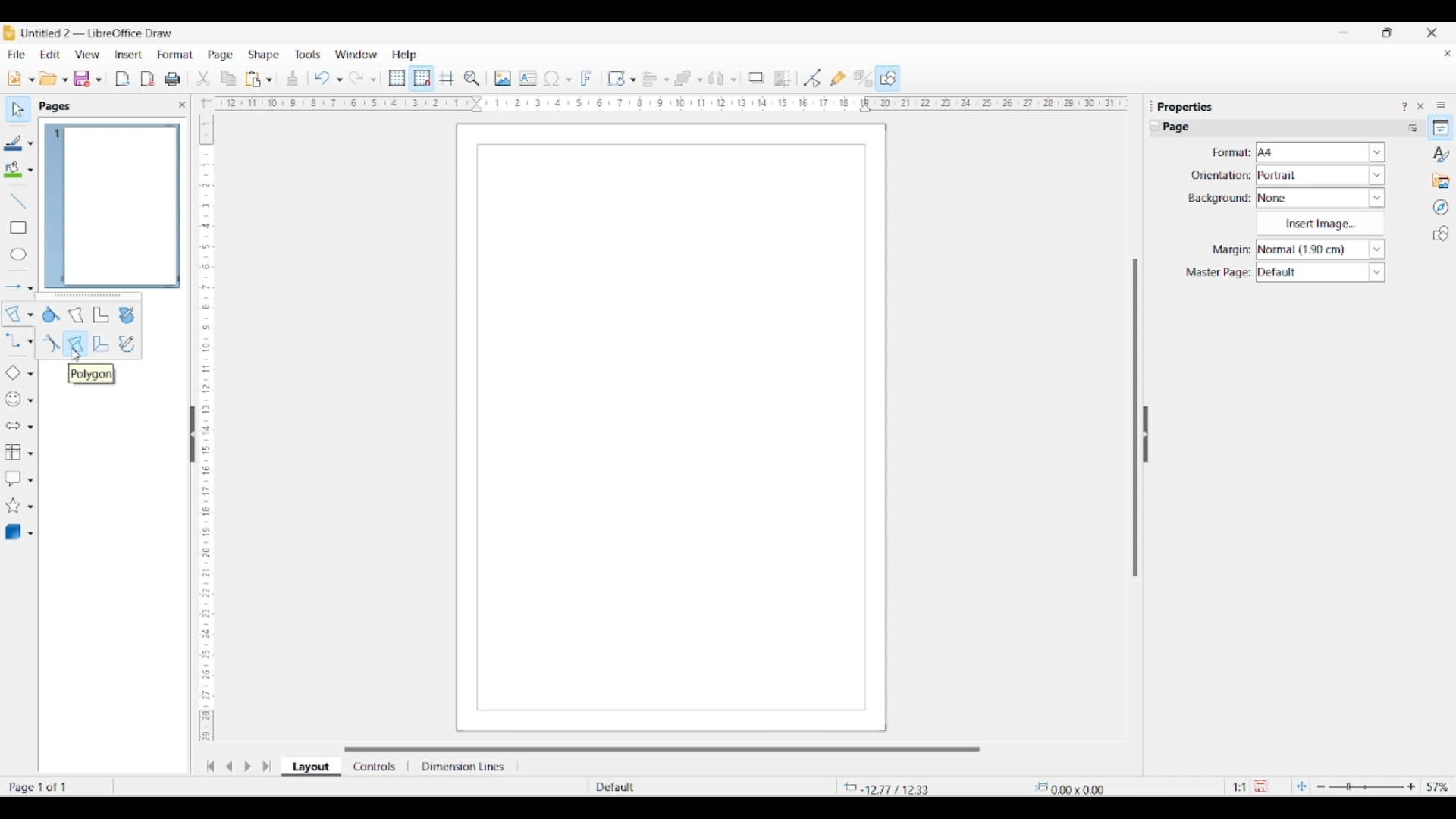 This screenshot has height=819, width=1456. Describe the element at coordinates (311, 767) in the screenshot. I see `Layout selected` at that location.